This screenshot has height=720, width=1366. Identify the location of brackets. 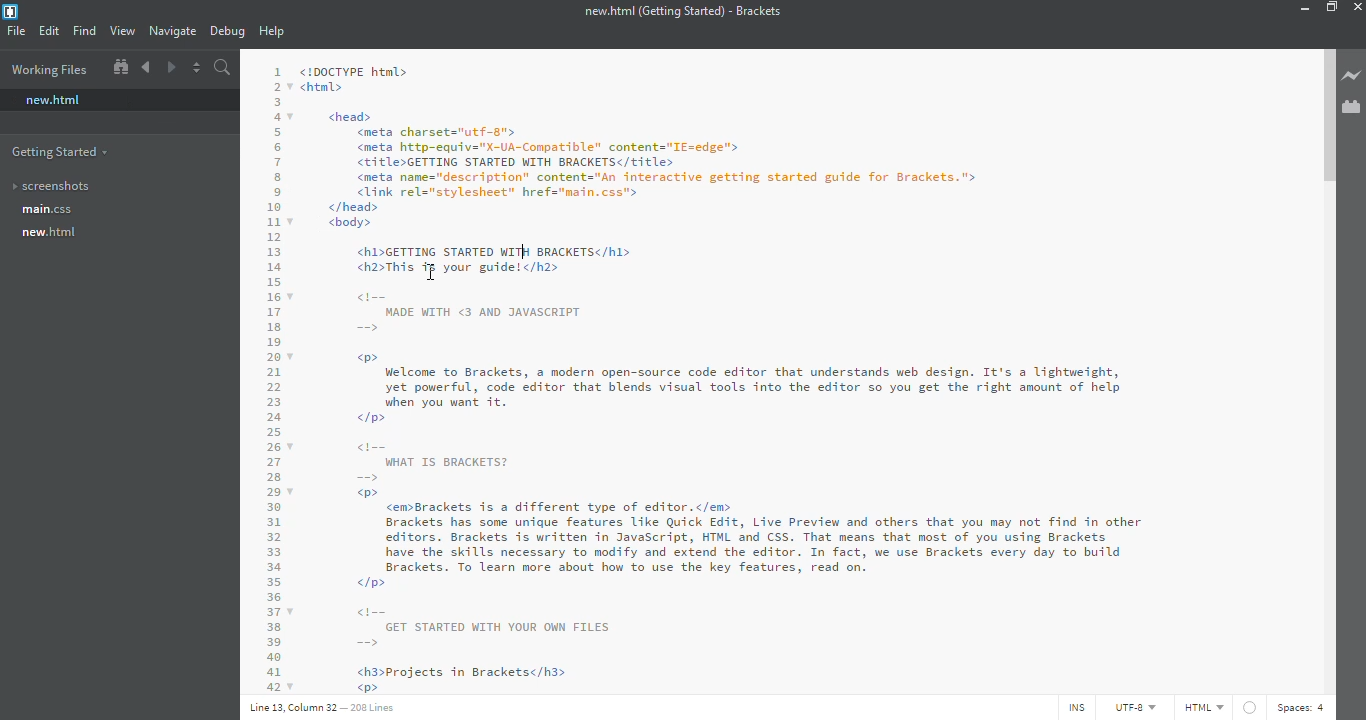
(11, 12).